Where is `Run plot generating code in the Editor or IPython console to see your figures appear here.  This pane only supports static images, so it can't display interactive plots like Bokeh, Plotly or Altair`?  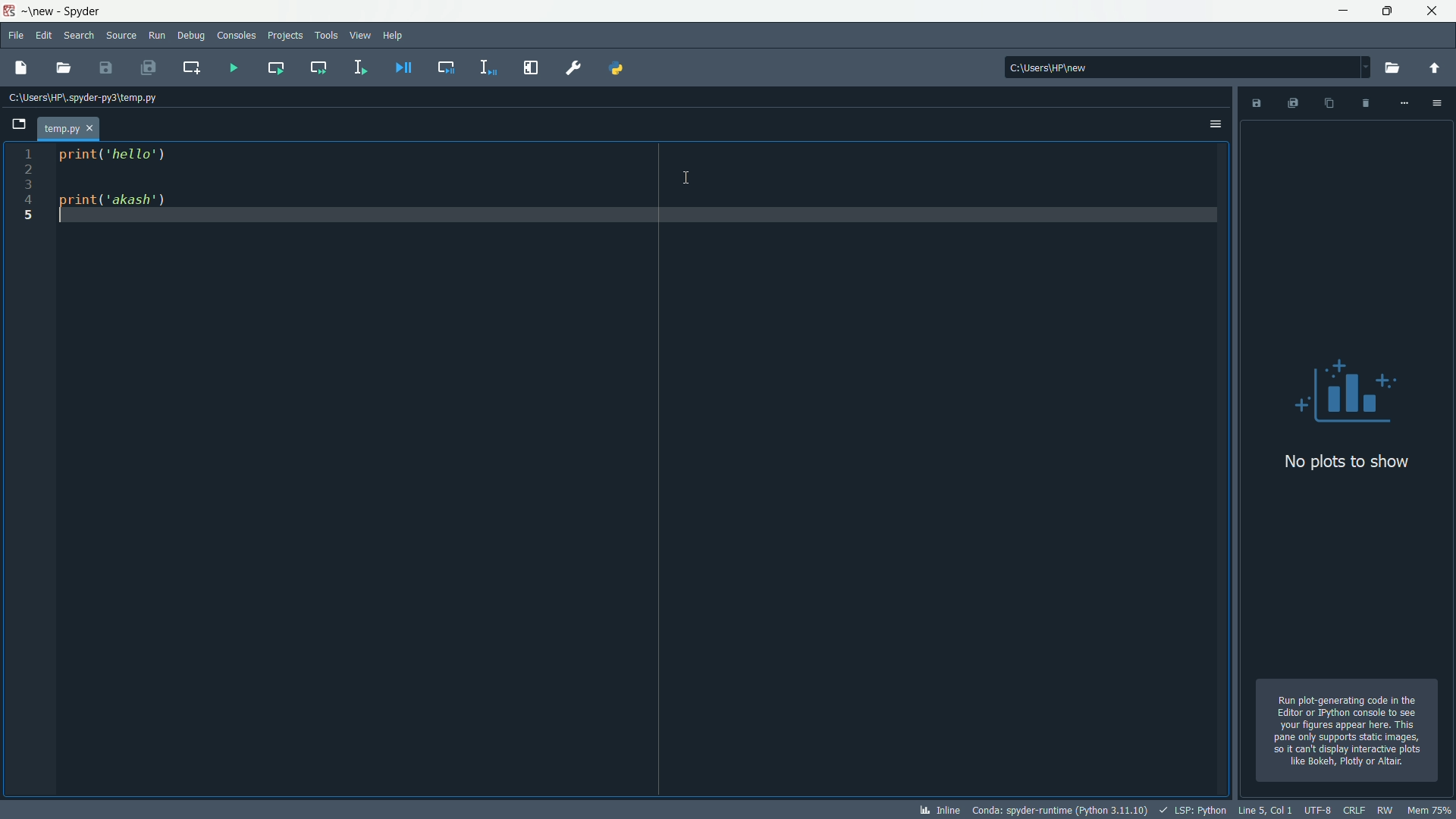
Run plot generating code in the Editor or IPython console to see your figures appear here.  This pane only supports static images, so it can't display interactive plots like Bokeh, Plotly or Altair is located at coordinates (1351, 731).